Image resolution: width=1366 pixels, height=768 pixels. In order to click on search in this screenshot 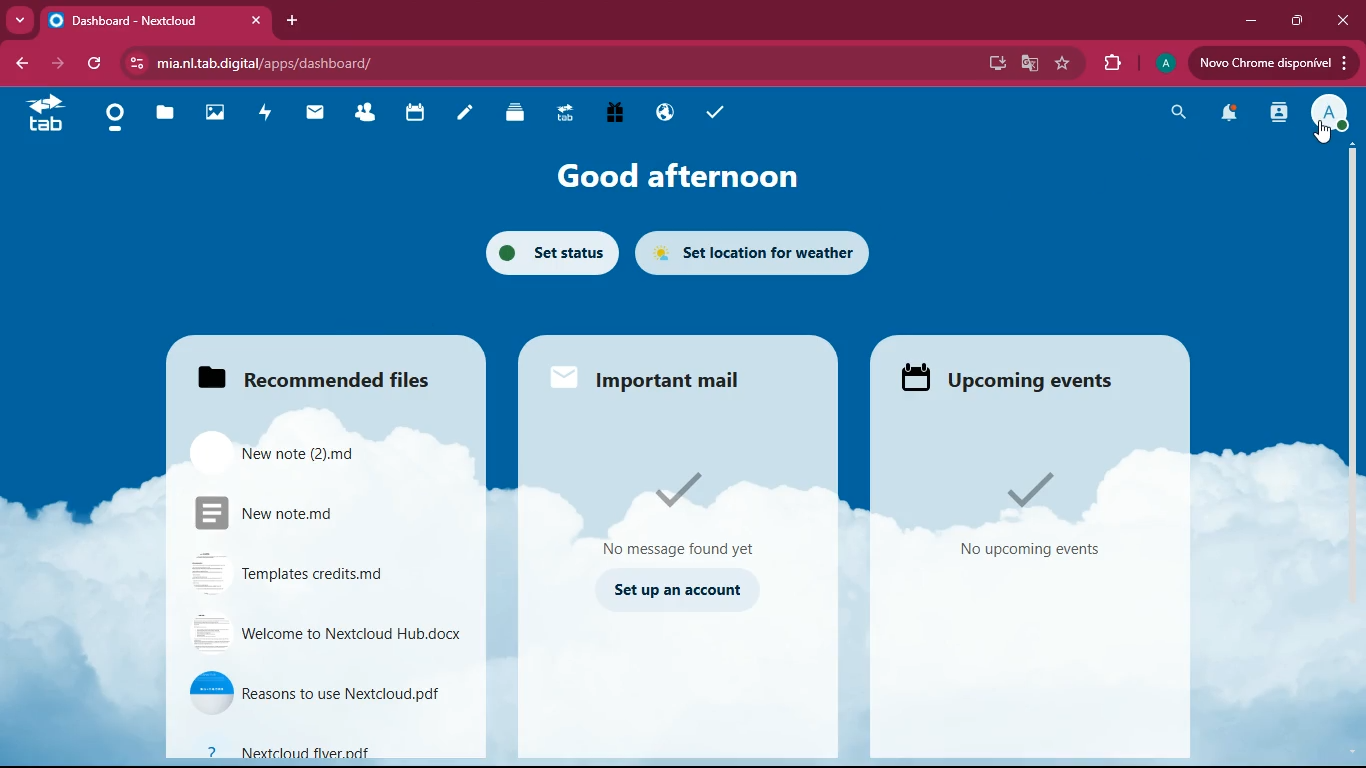, I will do `click(1172, 114)`.